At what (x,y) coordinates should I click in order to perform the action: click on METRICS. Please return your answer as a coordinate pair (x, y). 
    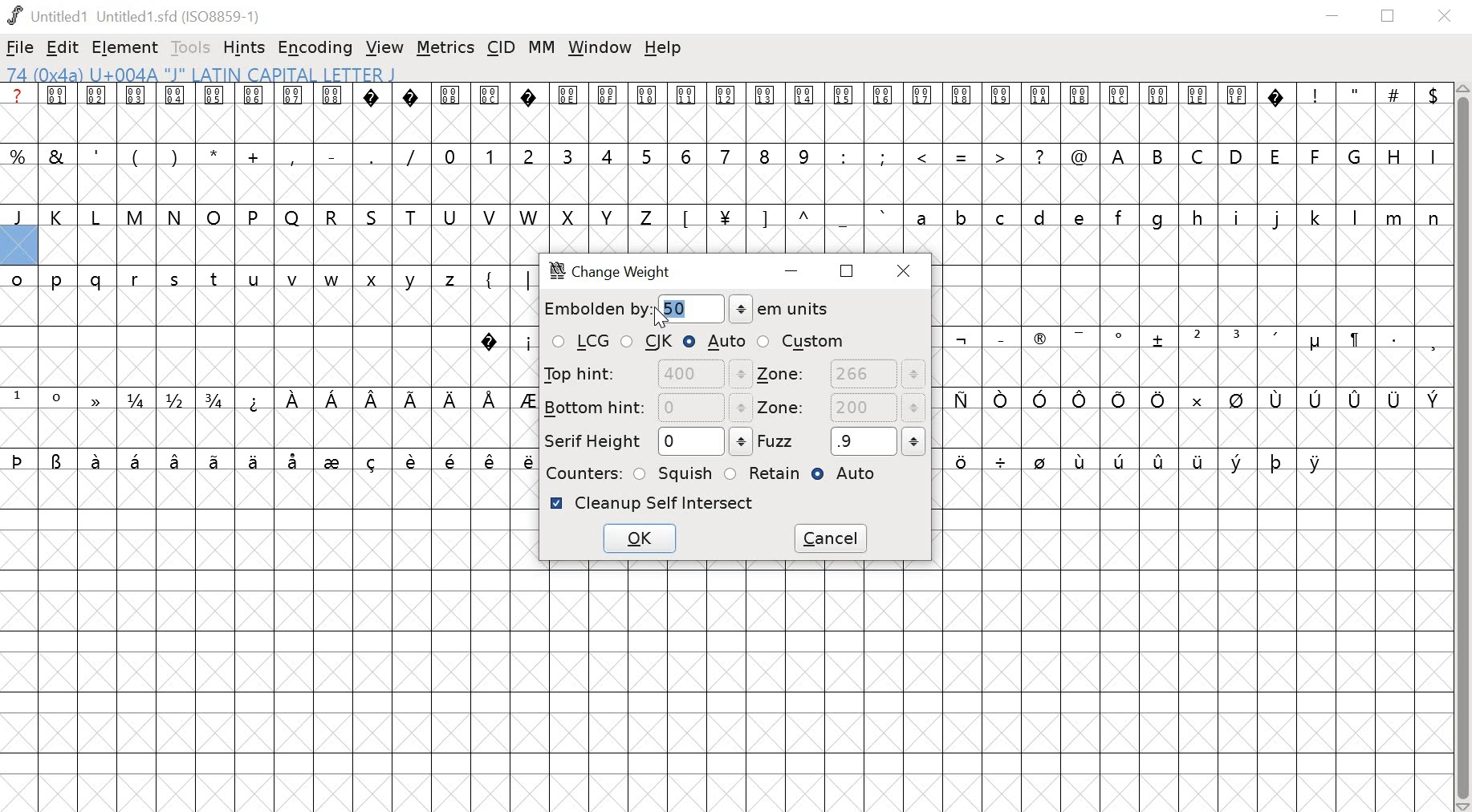
    Looking at the image, I should click on (445, 49).